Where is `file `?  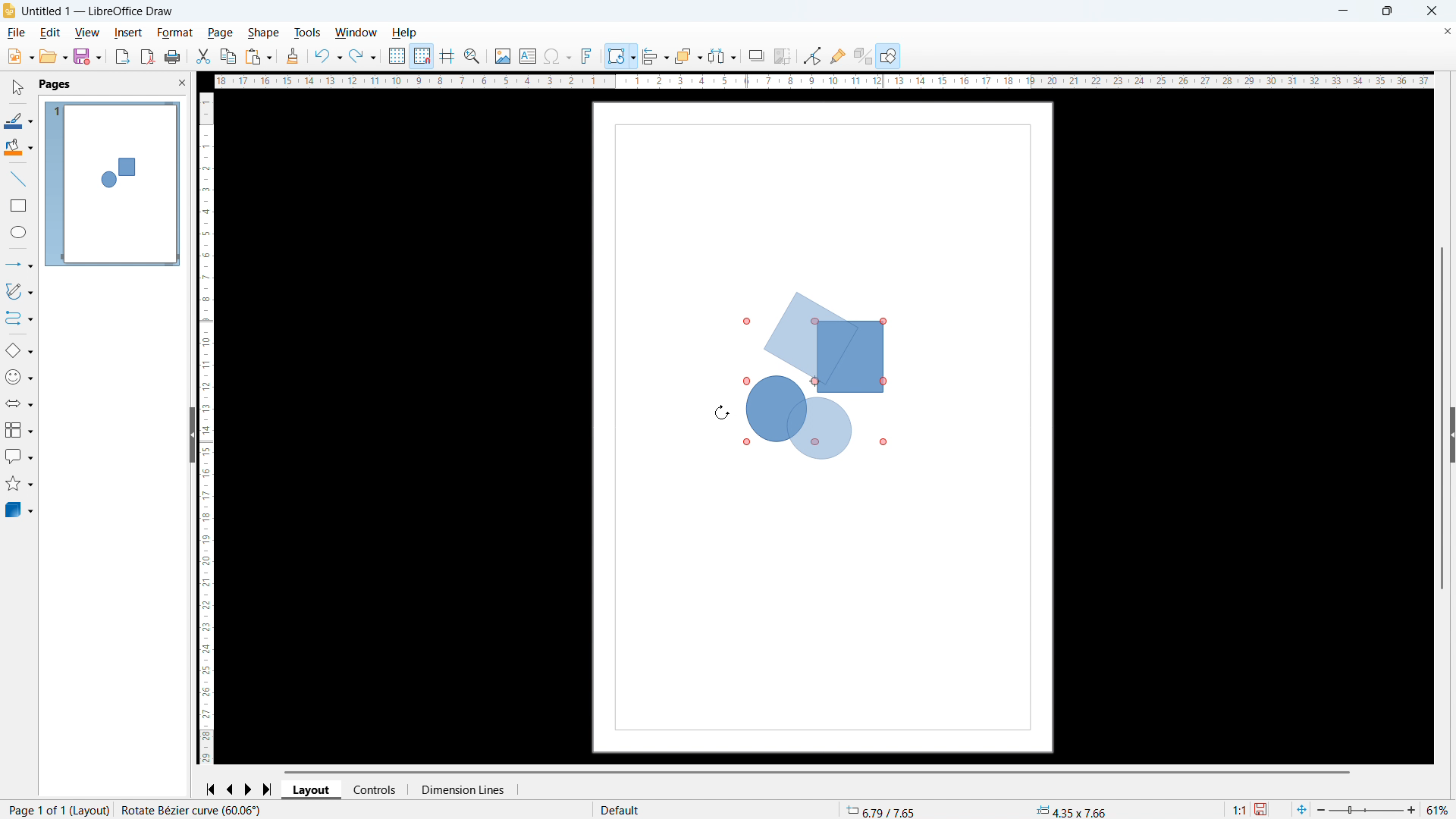 file  is located at coordinates (17, 33).